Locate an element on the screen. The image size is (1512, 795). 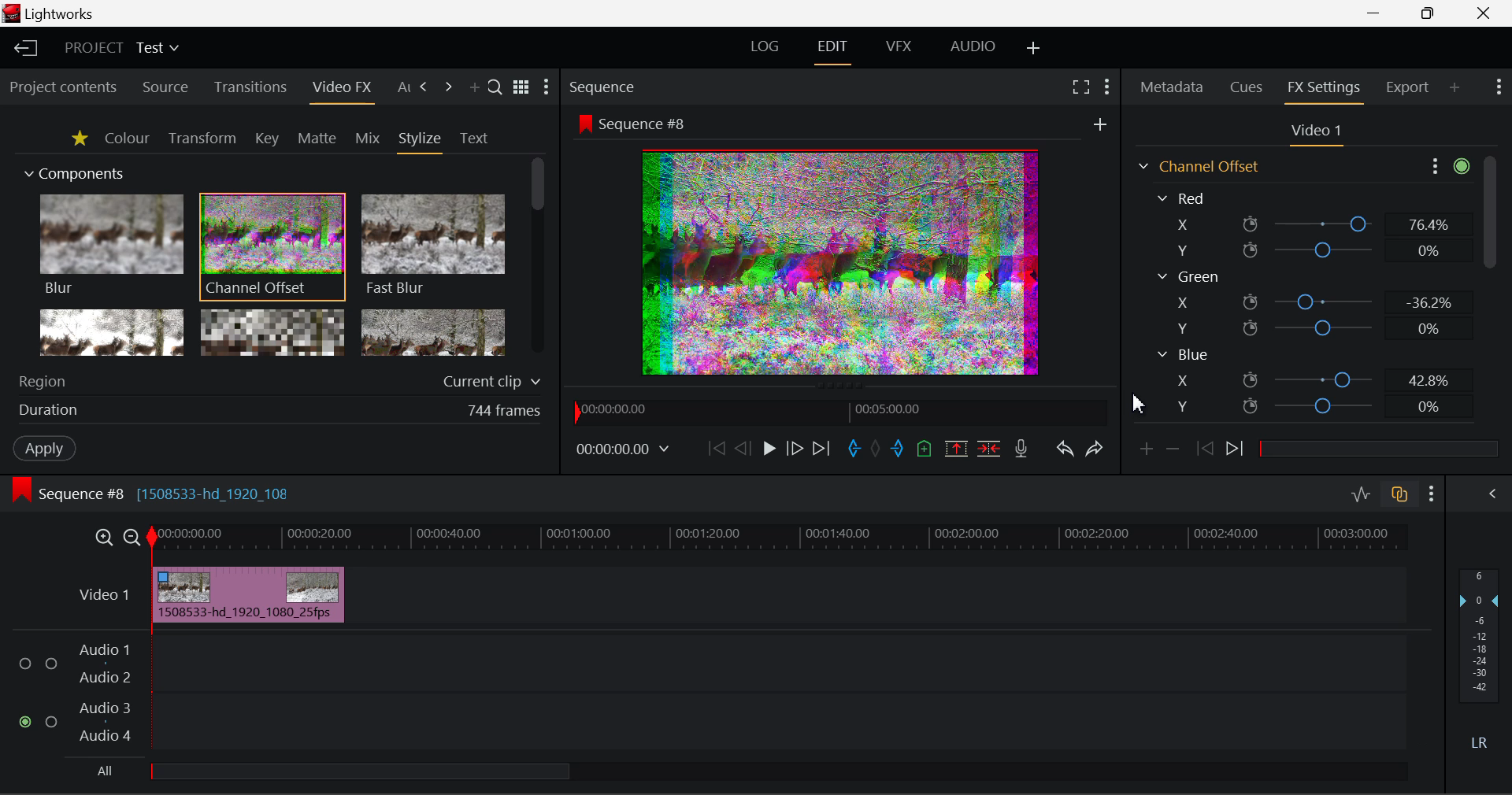
Colour is located at coordinates (126, 138).